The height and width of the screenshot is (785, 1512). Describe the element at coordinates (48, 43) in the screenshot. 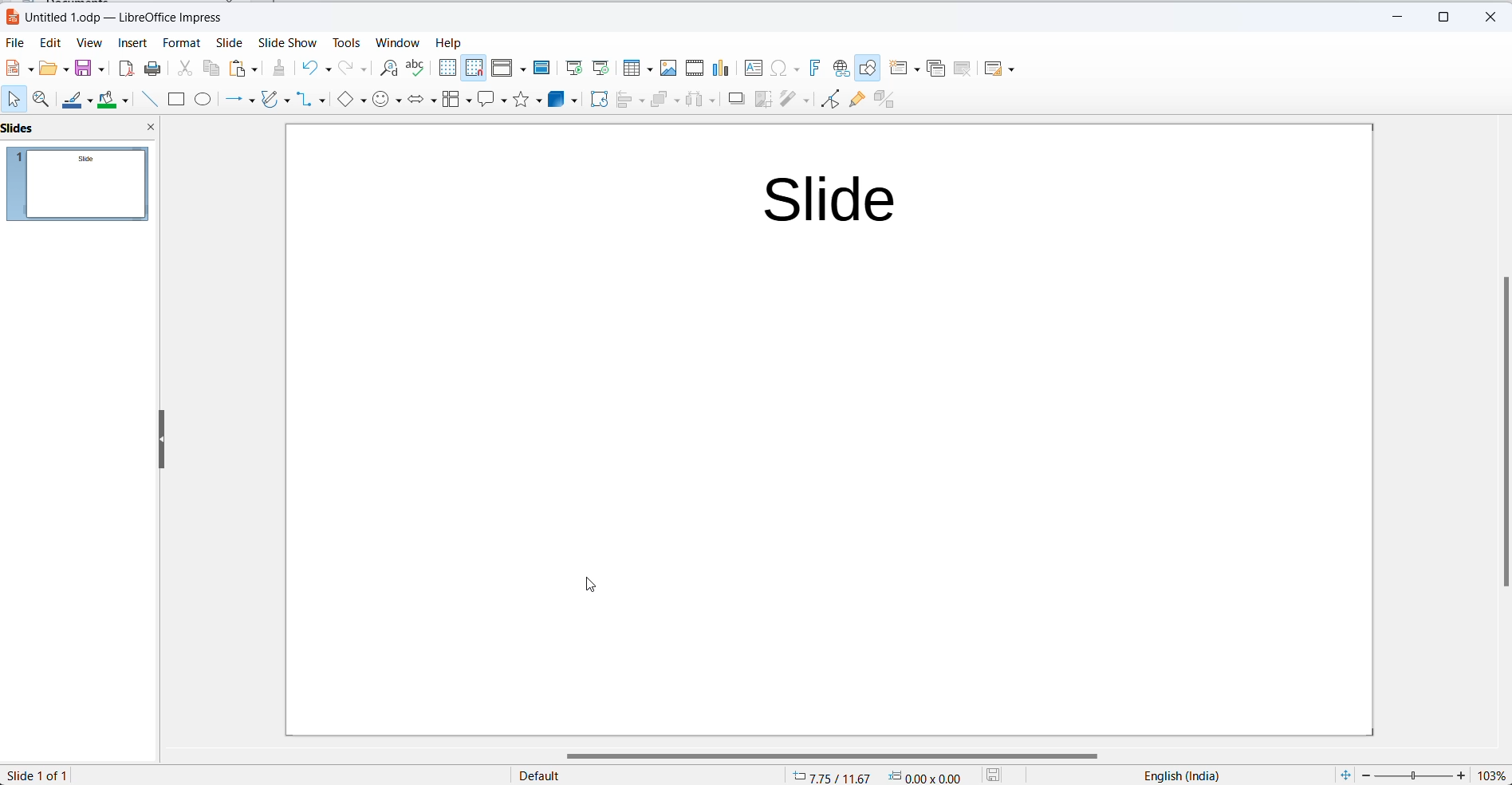

I see `edit` at that location.